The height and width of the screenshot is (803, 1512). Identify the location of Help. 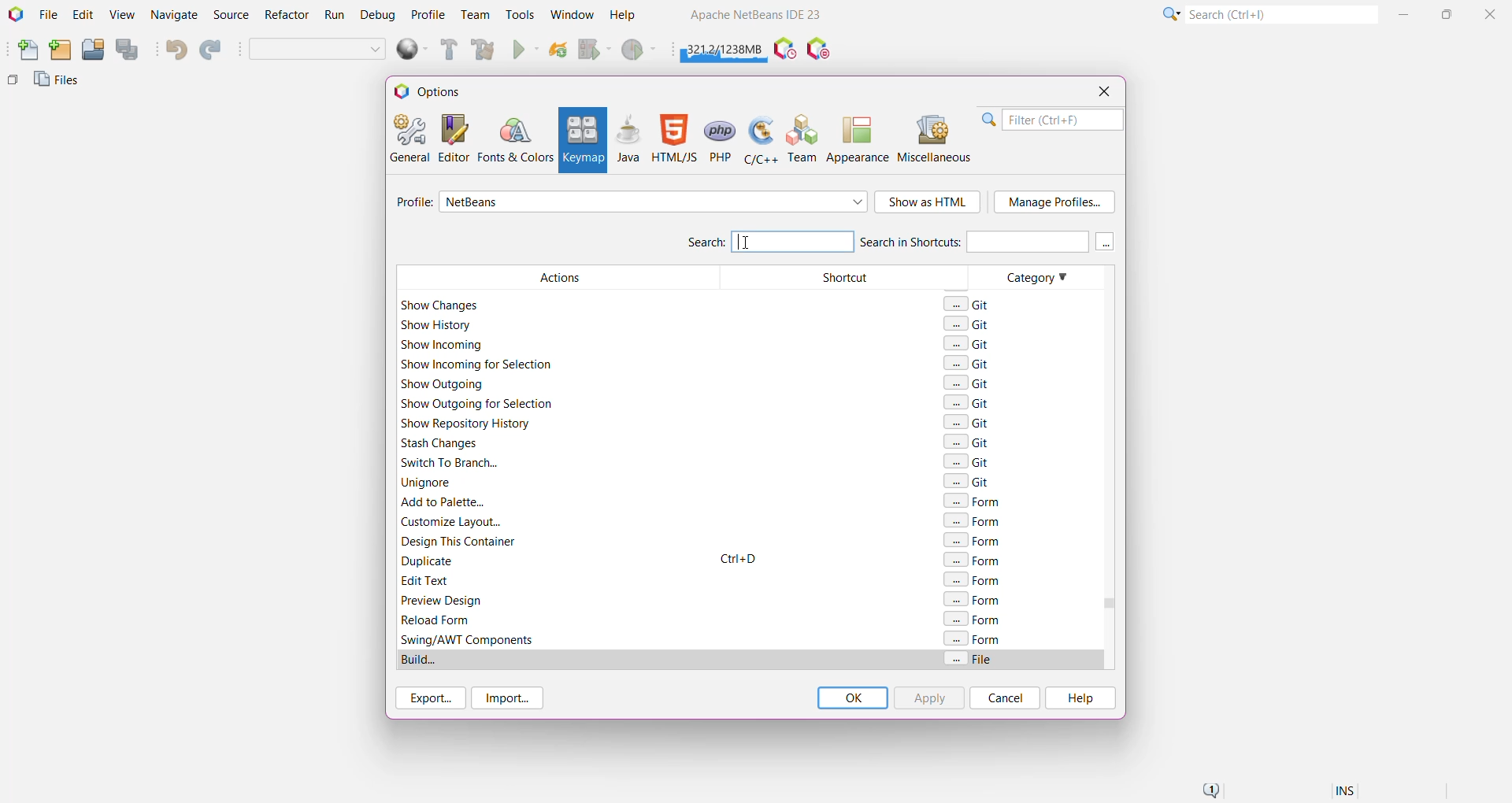
(1079, 698).